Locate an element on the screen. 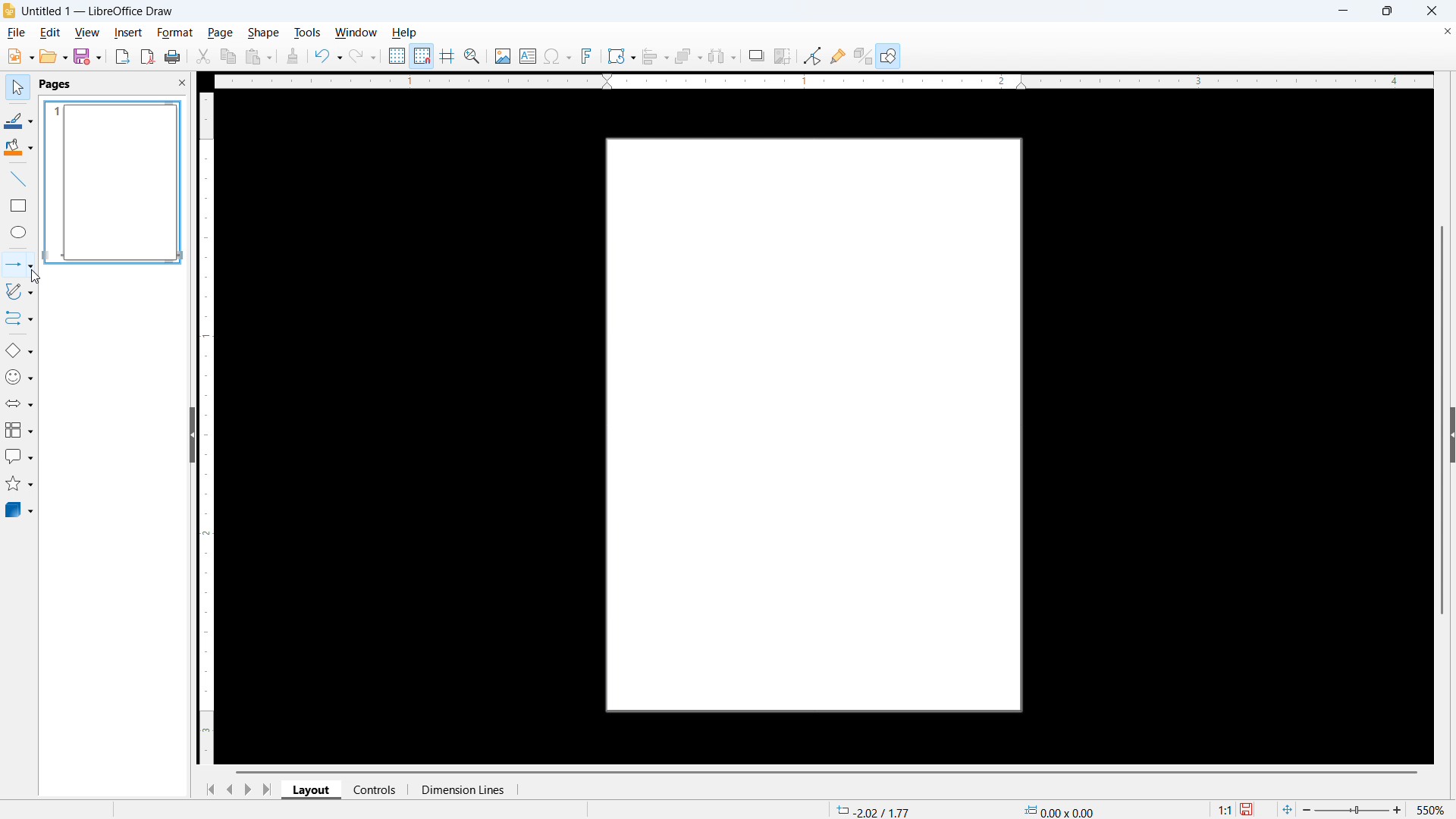  Select at least three objects to distribute is located at coordinates (723, 56).